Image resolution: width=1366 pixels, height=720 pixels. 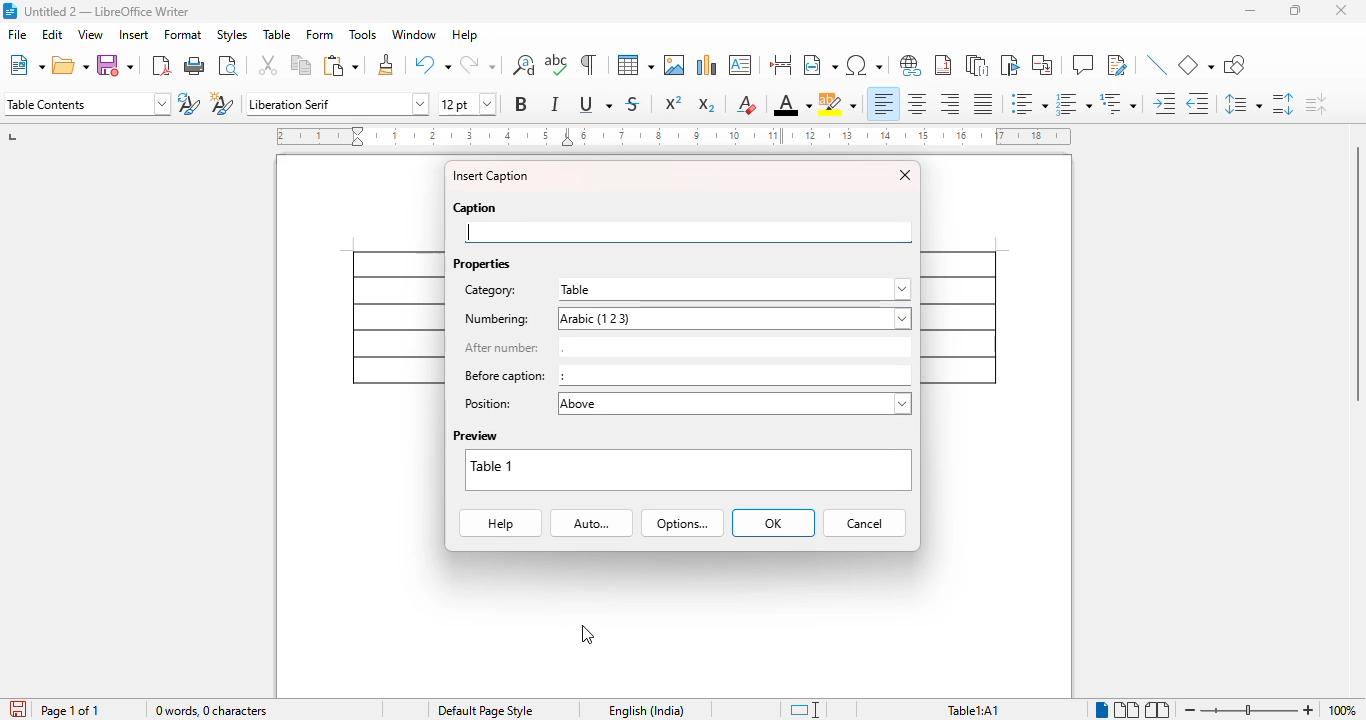 I want to click on properties, so click(x=482, y=264).